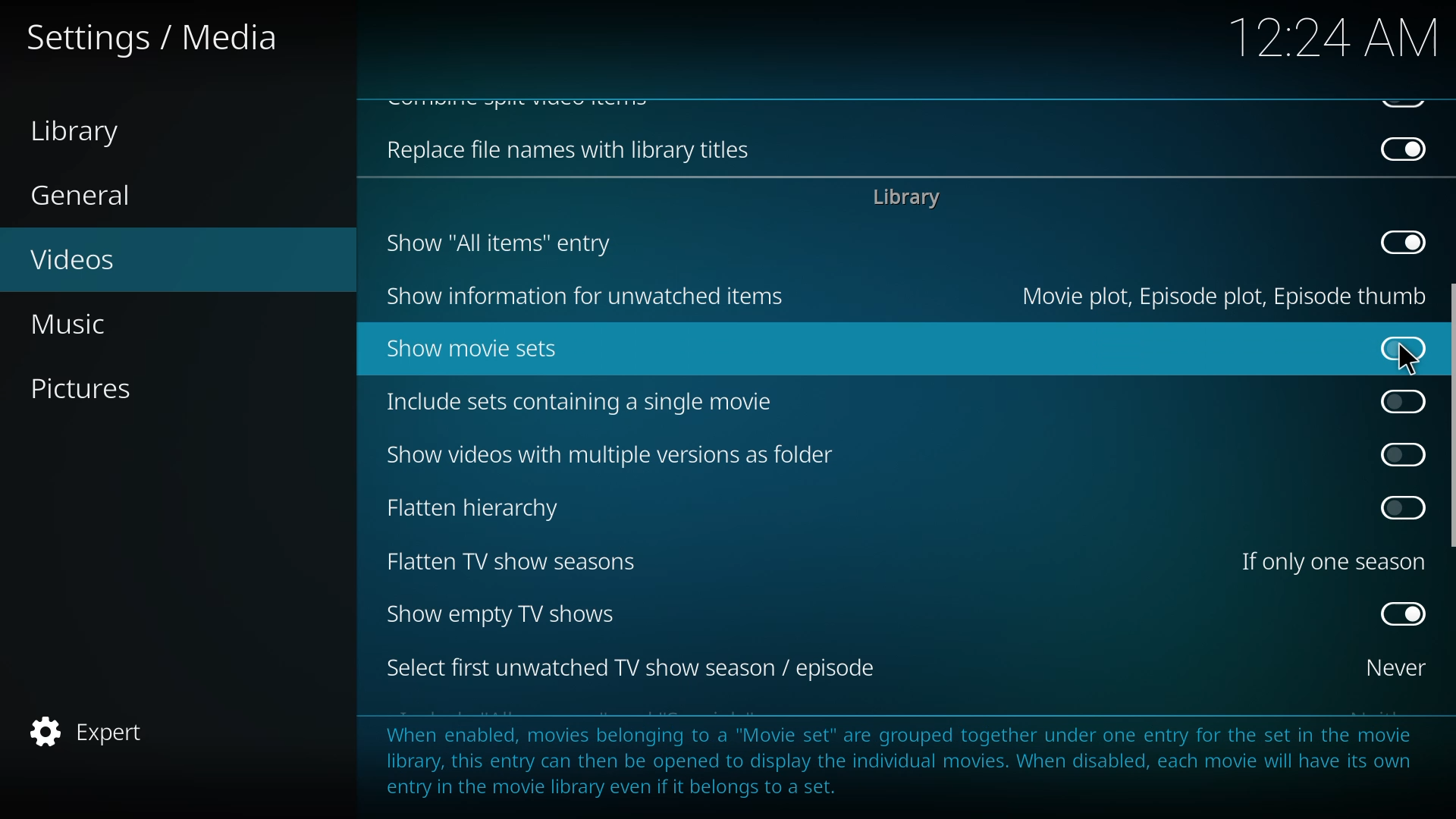 The width and height of the screenshot is (1456, 819). What do you see at coordinates (635, 670) in the screenshot?
I see `select first tv season` at bounding box center [635, 670].